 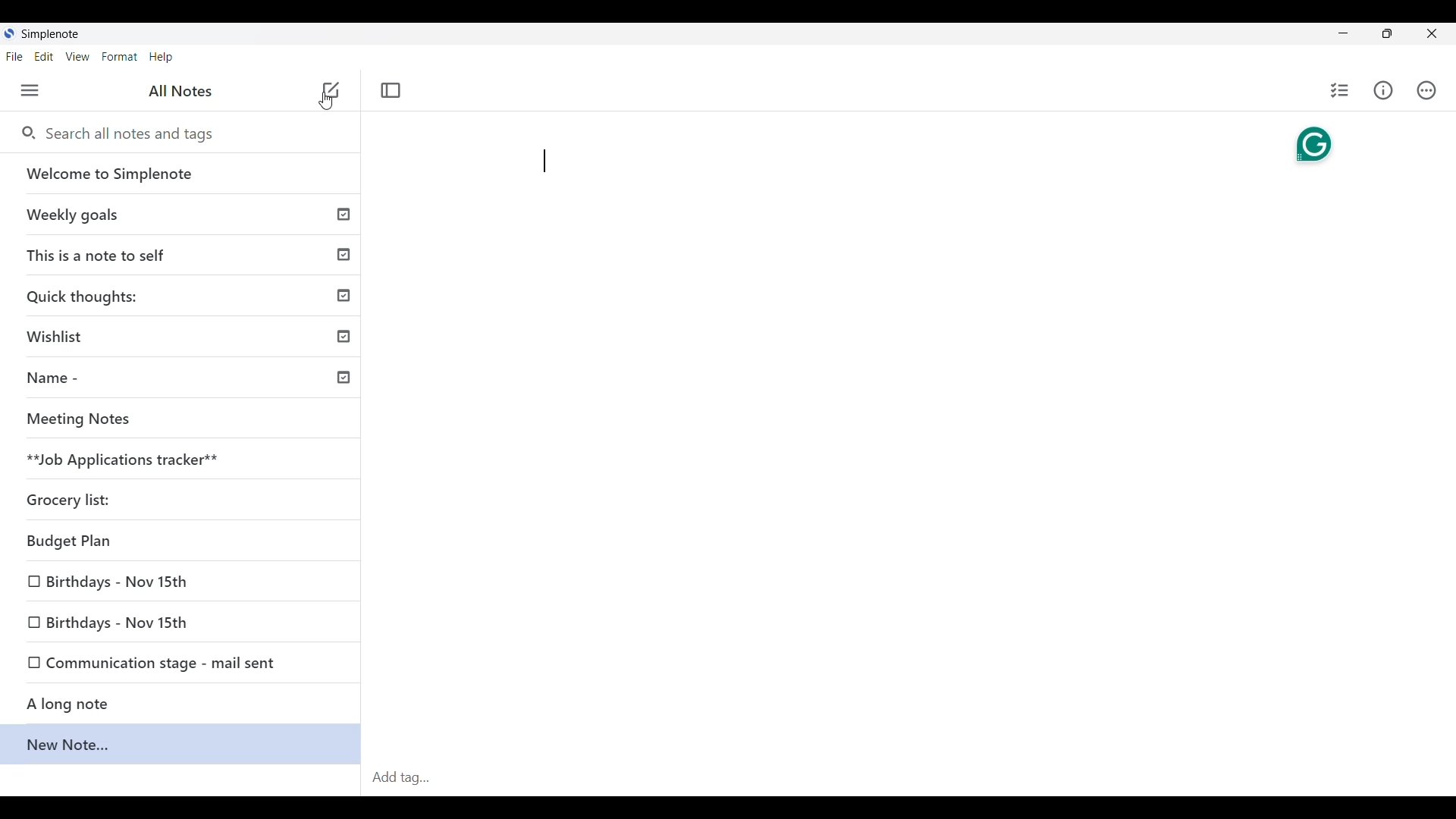 What do you see at coordinates (187, 375) in the screenshot?
I see `Name` at bounding box center [187, 375].